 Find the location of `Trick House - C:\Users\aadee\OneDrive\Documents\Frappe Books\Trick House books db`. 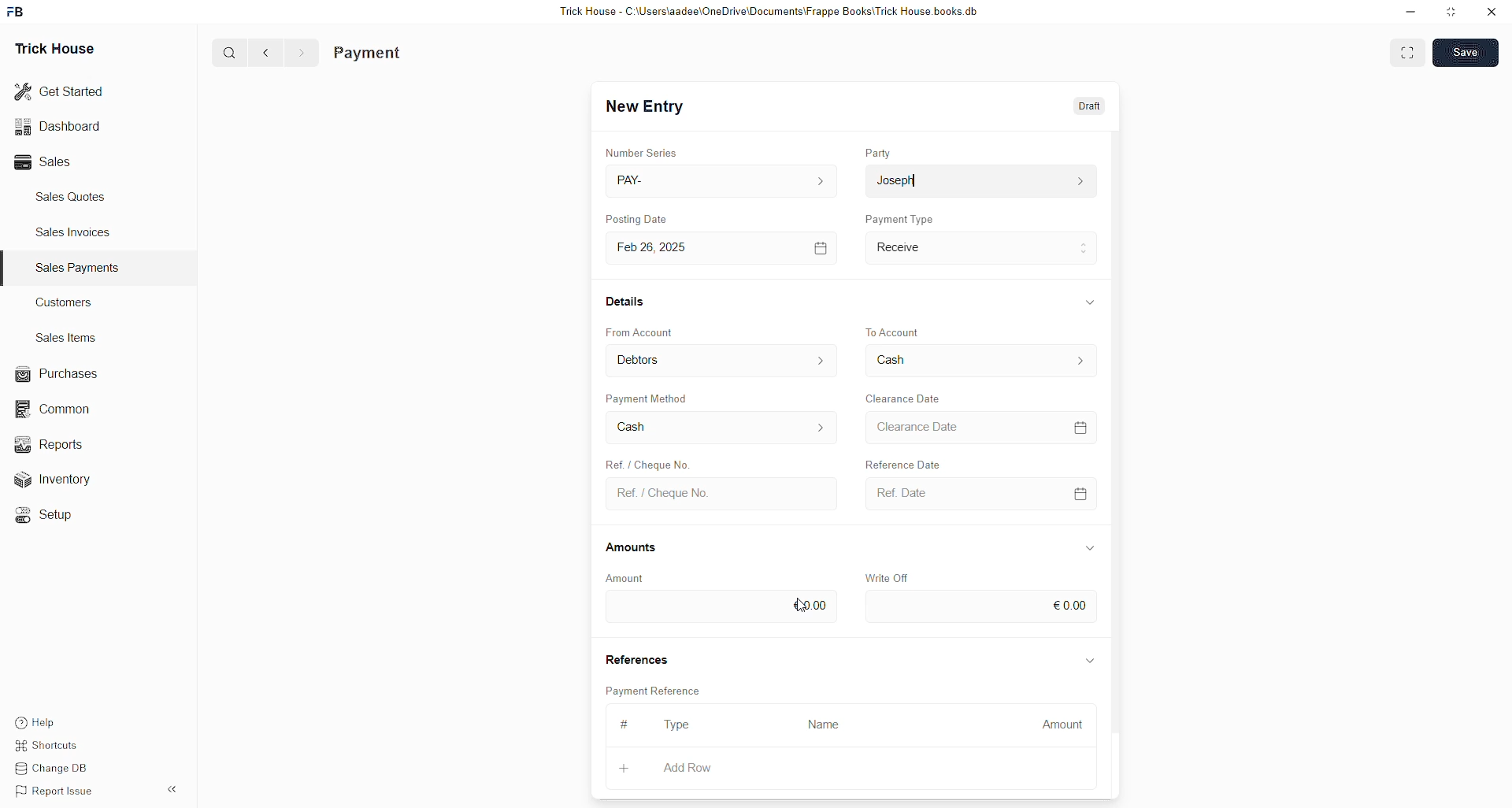

Trick House - C:\Users\aadee\OneDrive\Documents\Frappe Books\Trick House books db is located at coordinates (770, 12).